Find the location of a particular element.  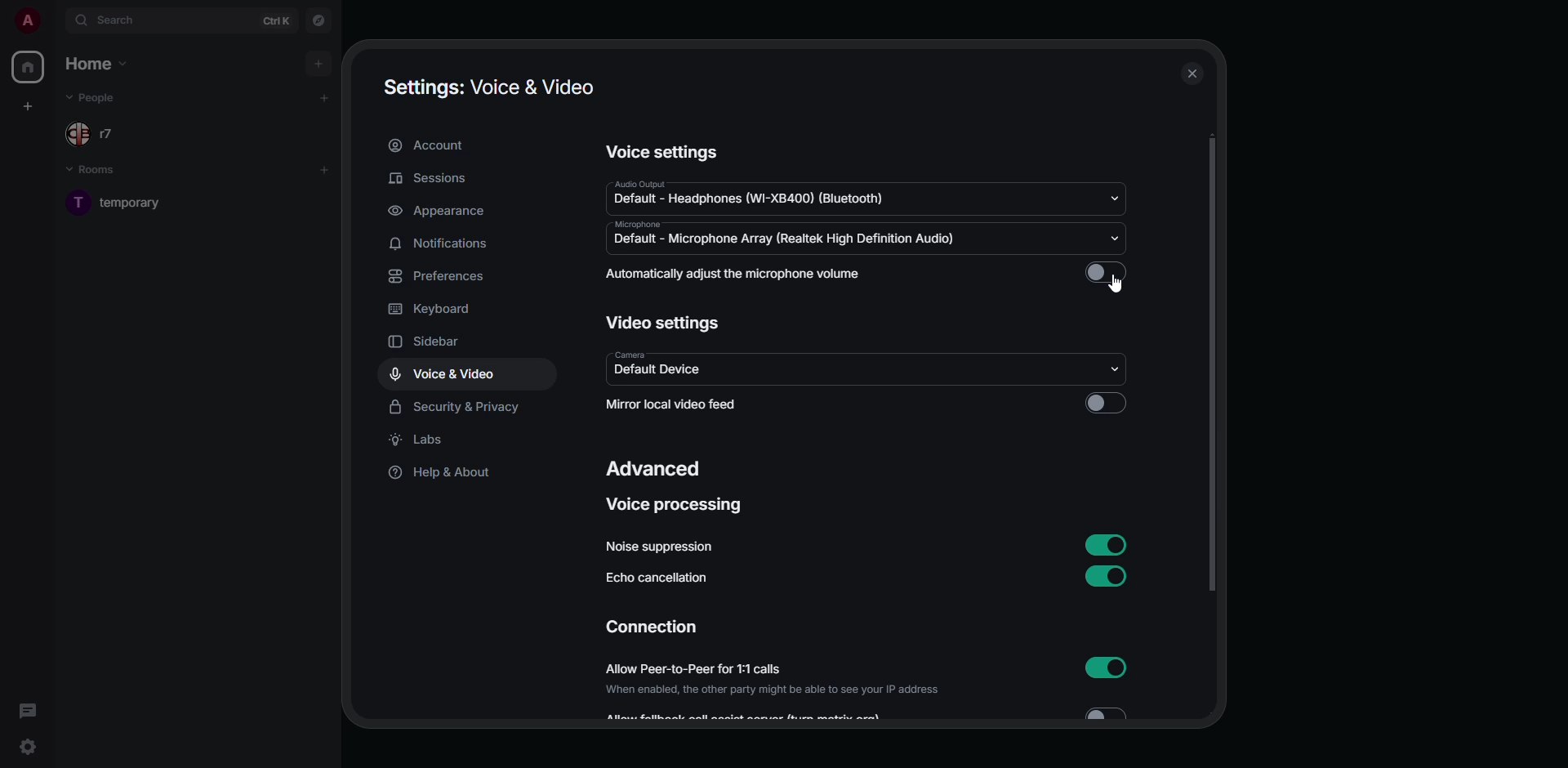

create space is located at coordinates (29, 106).